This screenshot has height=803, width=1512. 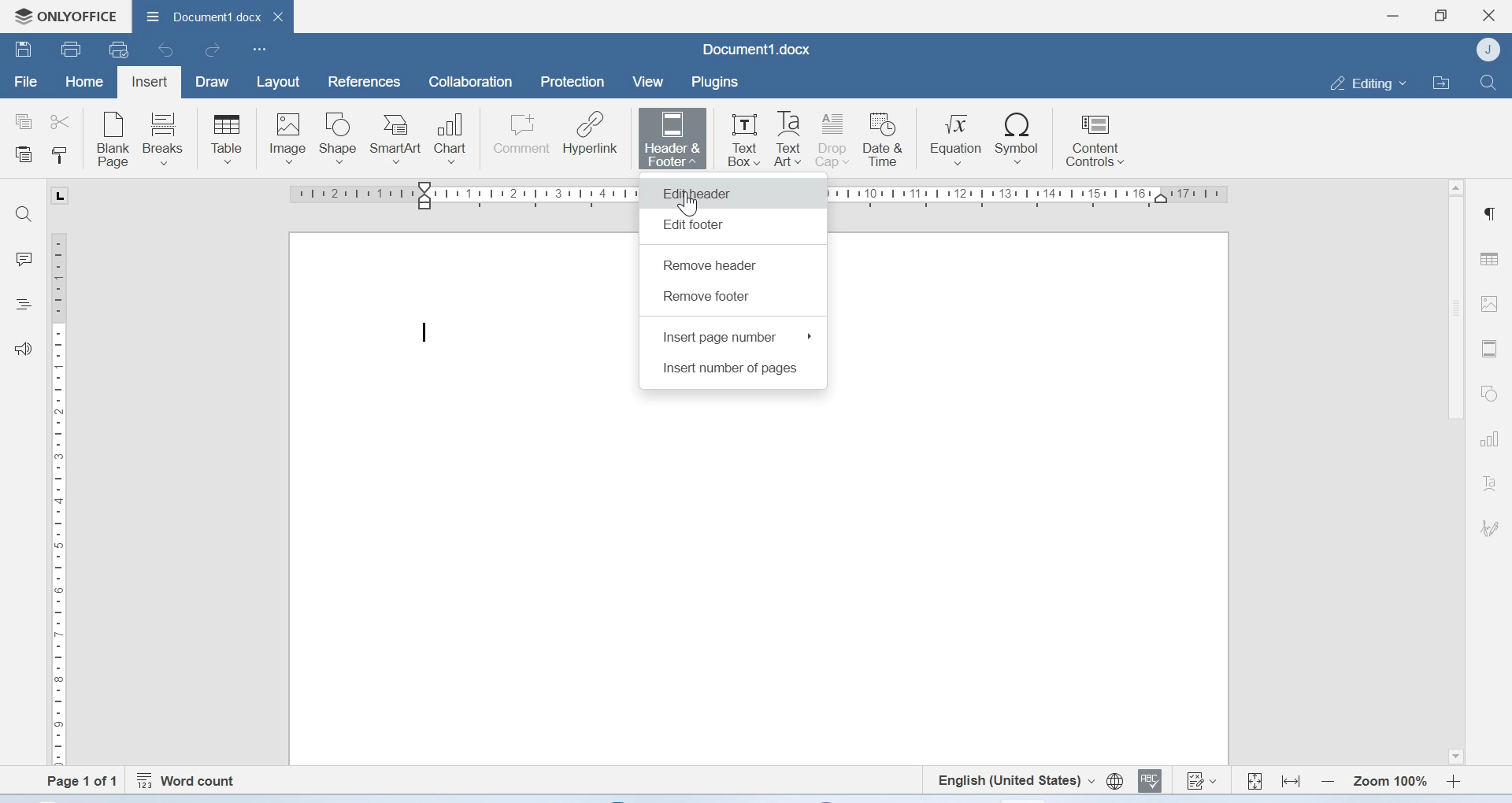 What do you see at coordinates (834, 139) in the screenshot?
I see `Drop cap` at bounding box center [834, 139].